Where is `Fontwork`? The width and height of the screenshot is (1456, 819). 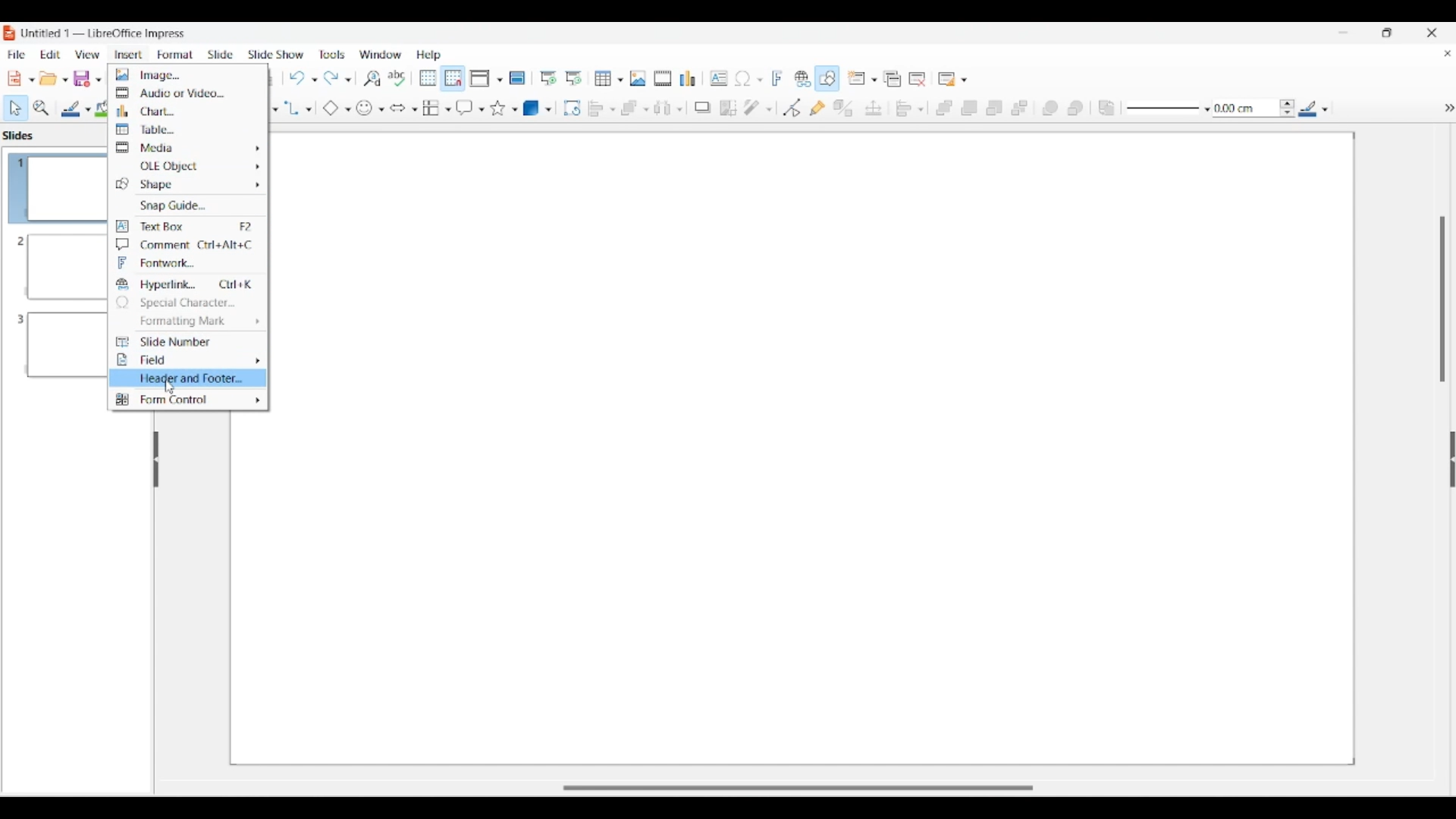
Fontwork is located at coordinates (187, 263).